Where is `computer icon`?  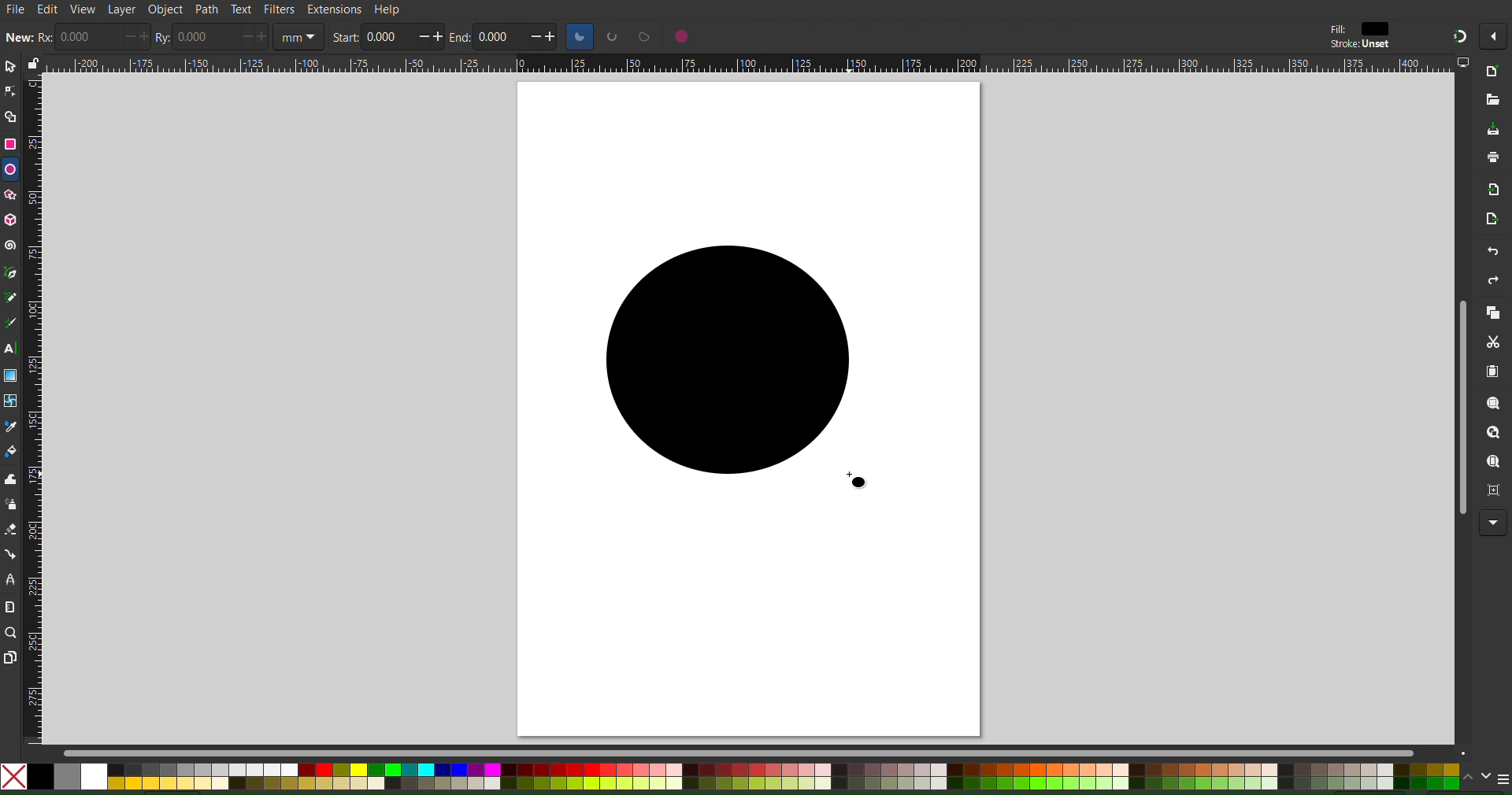
computer icon is located at coordinates (1466, 65).